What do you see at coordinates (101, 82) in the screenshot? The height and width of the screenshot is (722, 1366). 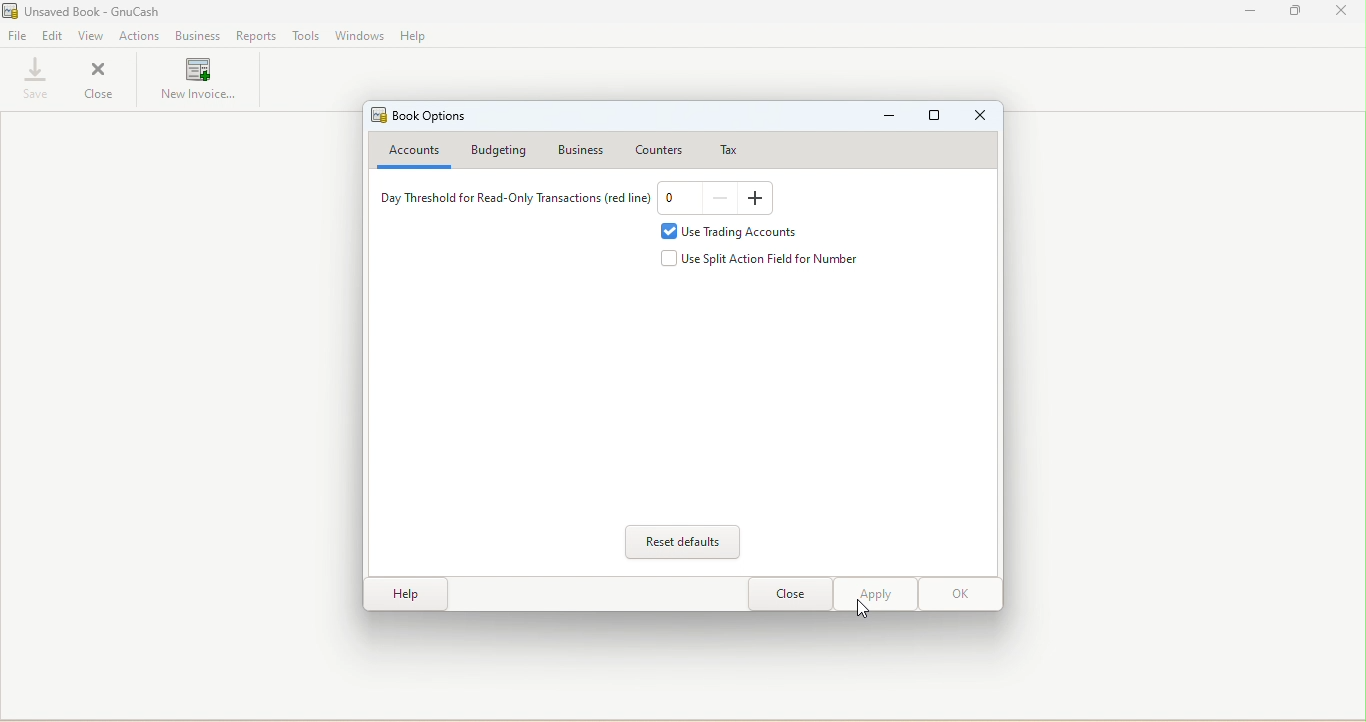 I see `Close` at bounding box center [101, 82].